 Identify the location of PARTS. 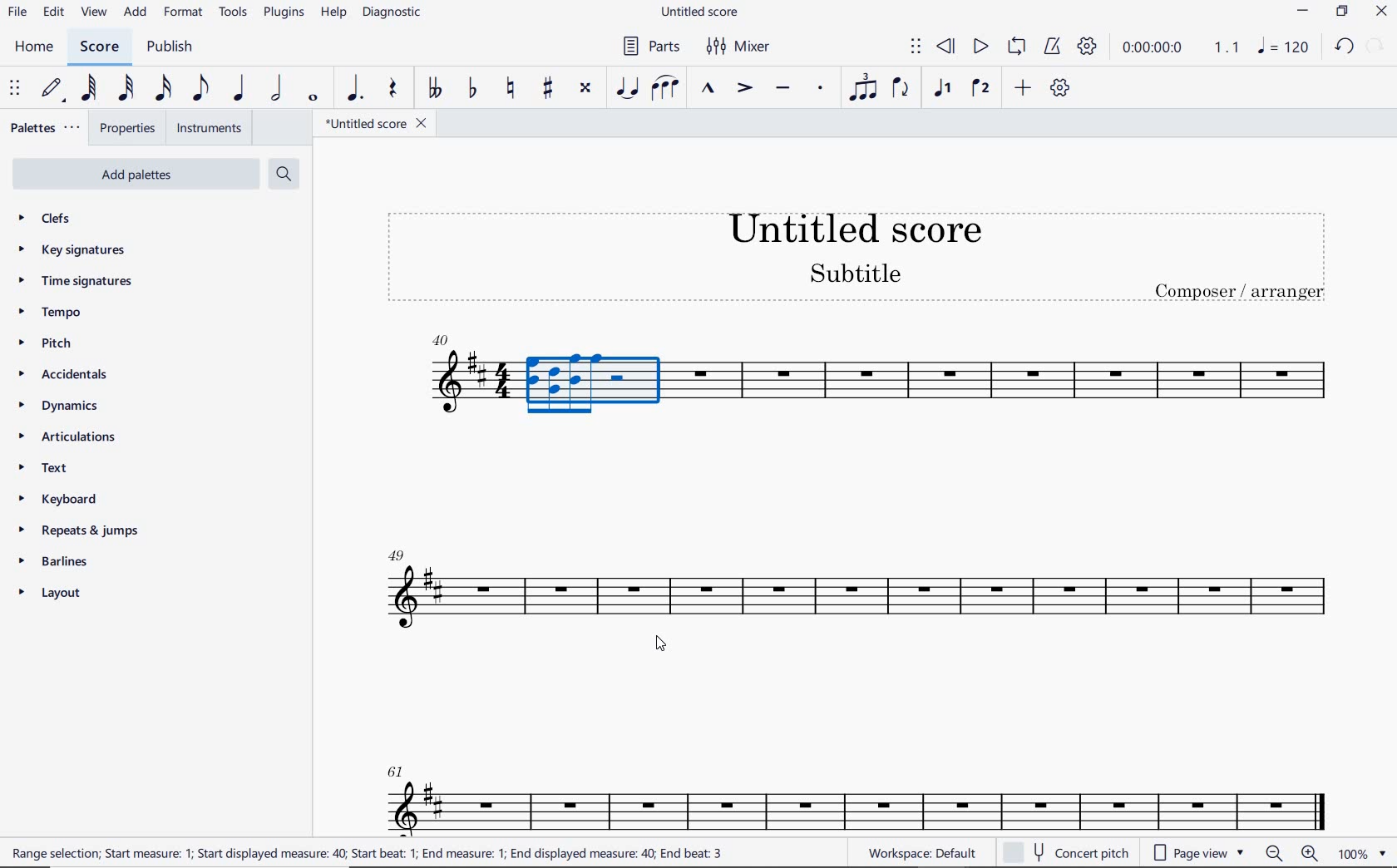
(650, 45).